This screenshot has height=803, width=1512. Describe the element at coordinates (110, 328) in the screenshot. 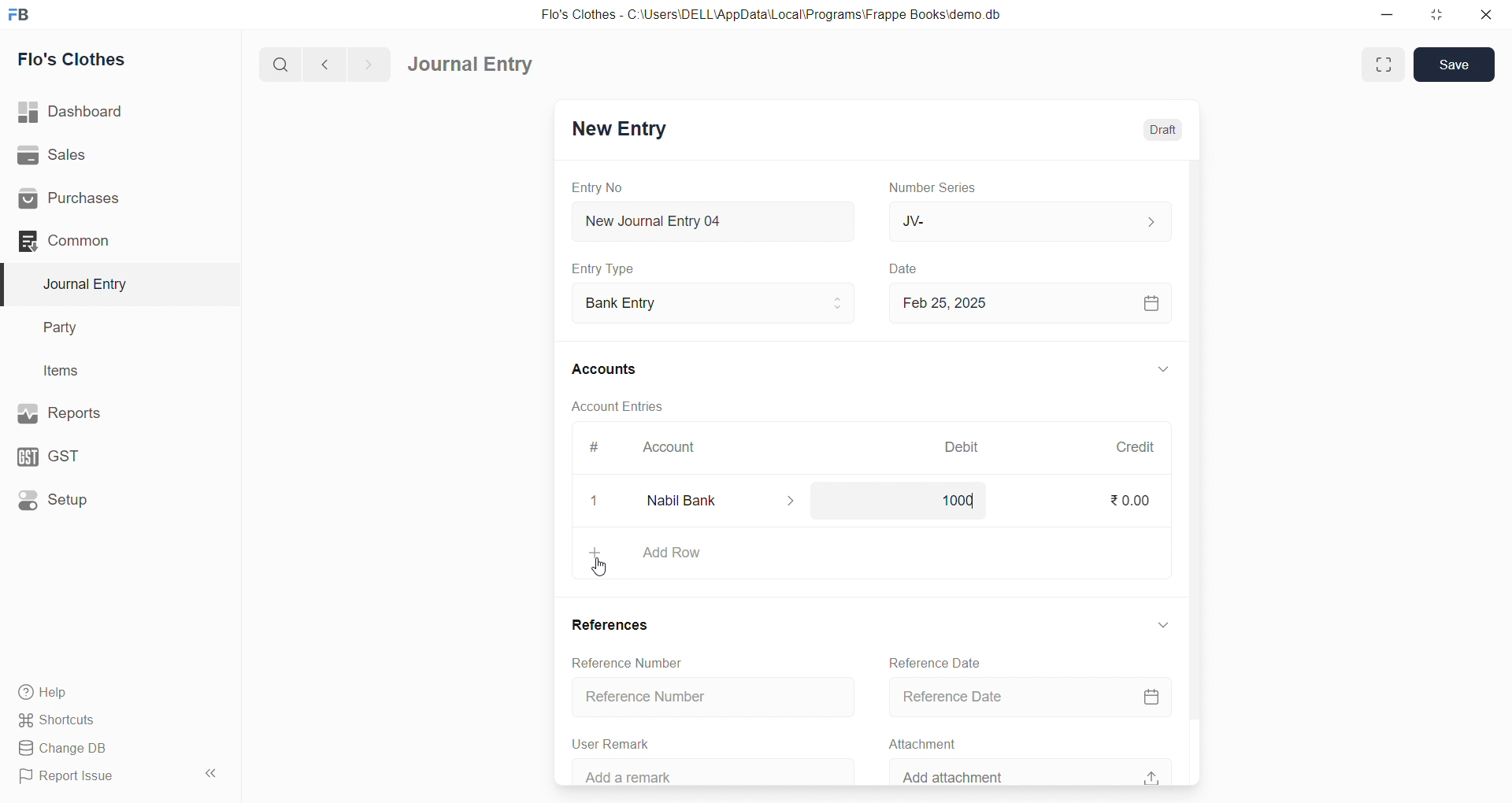

I see `Party` at that location.